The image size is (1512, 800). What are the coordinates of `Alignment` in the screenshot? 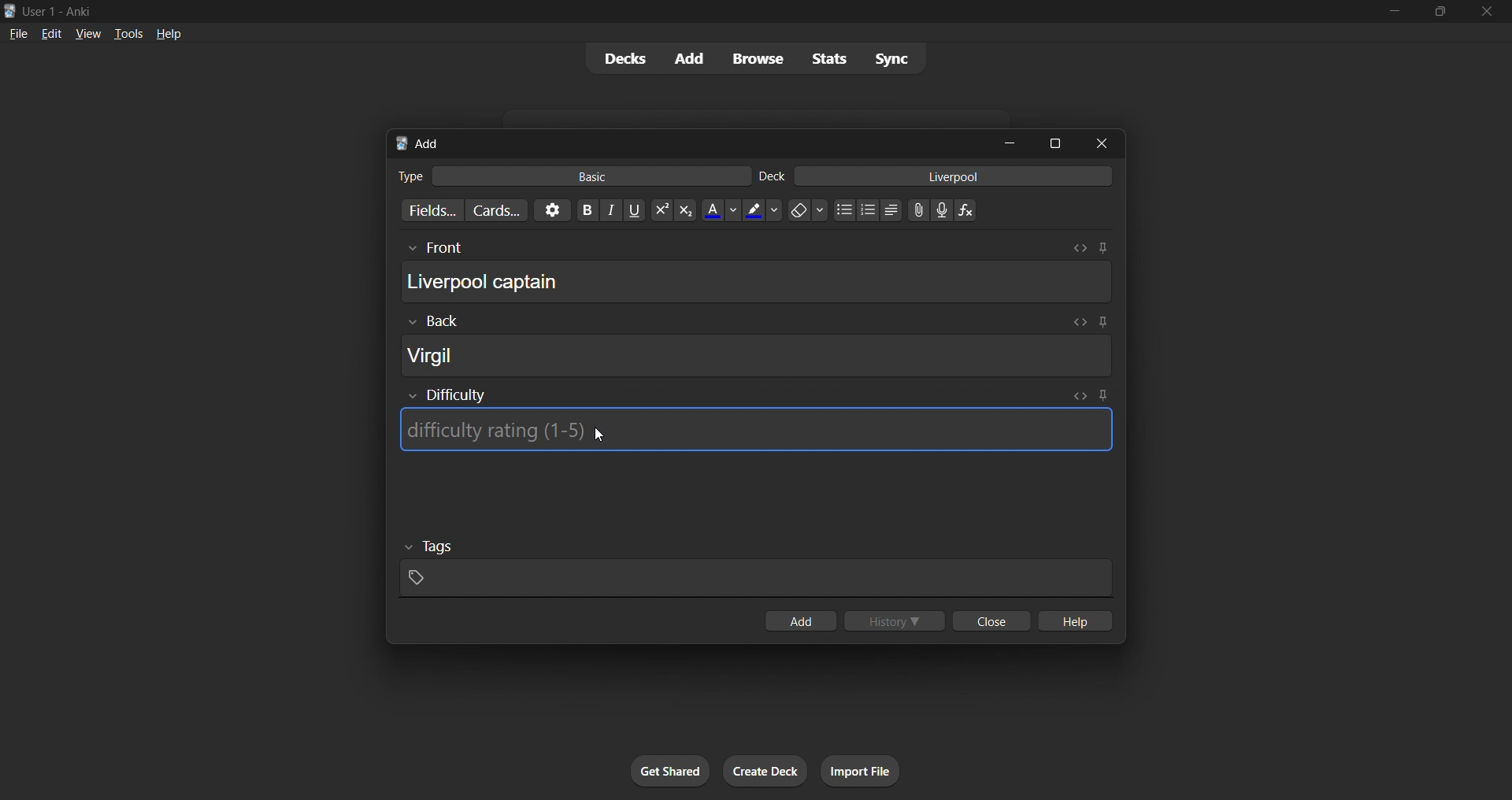 It's located at (891, 210).